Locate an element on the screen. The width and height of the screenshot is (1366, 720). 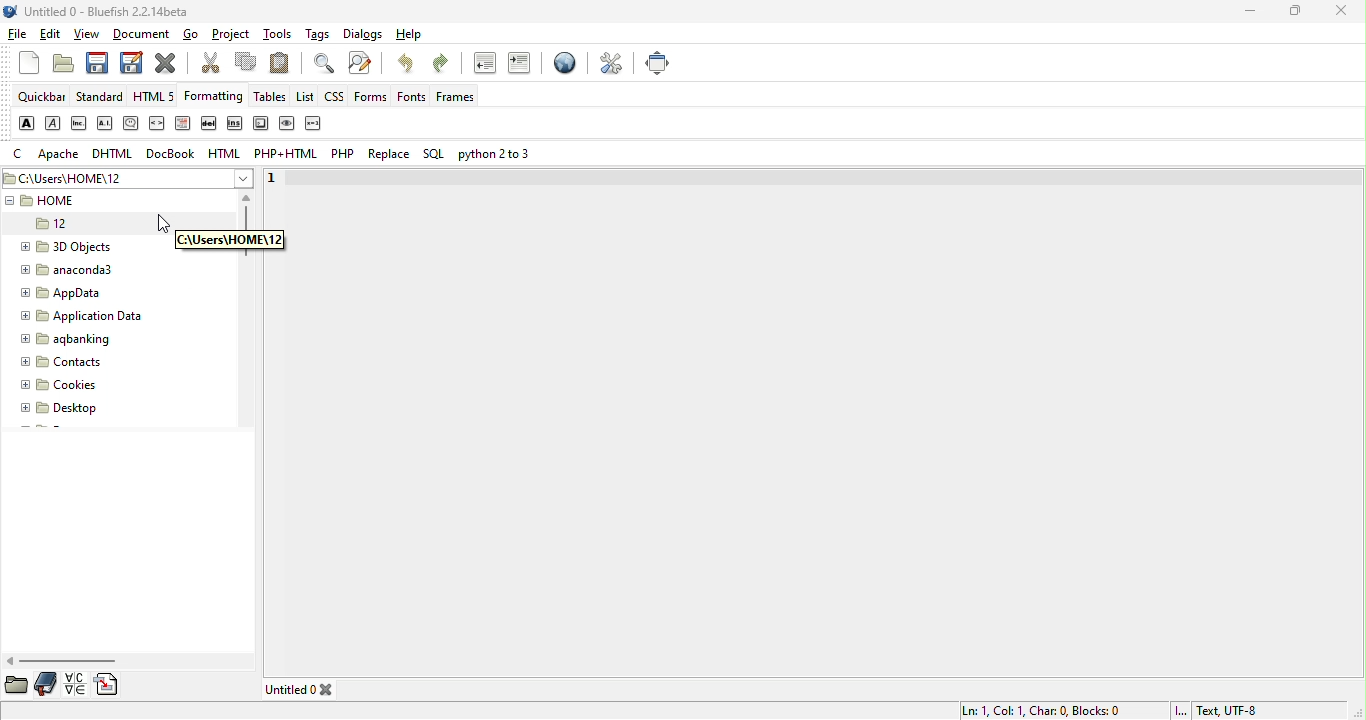
undo is located at coordinates (407, 67).